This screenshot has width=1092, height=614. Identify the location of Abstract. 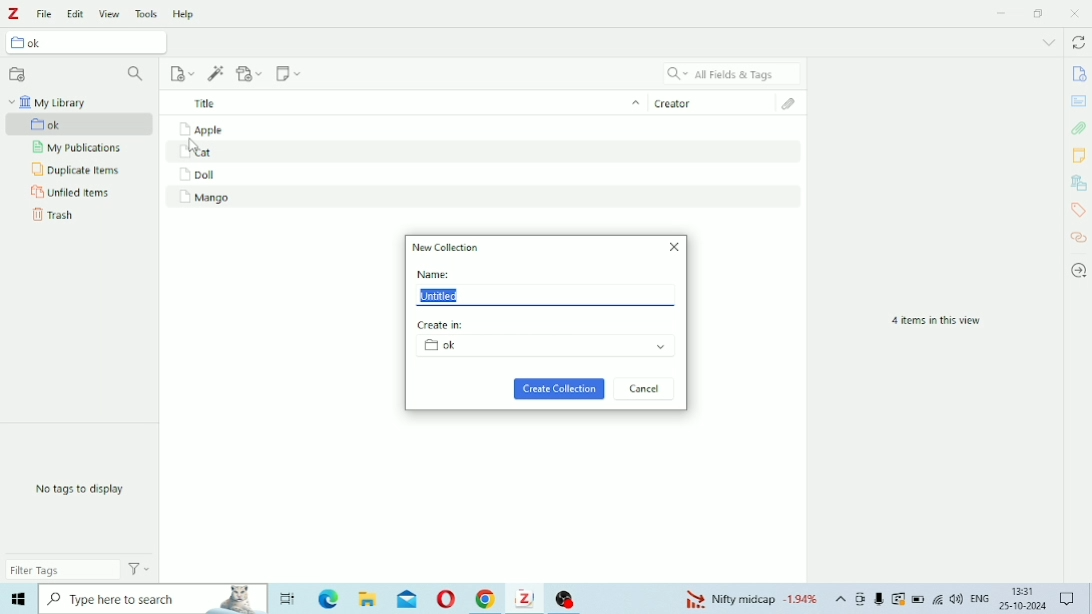
(1078, 101).